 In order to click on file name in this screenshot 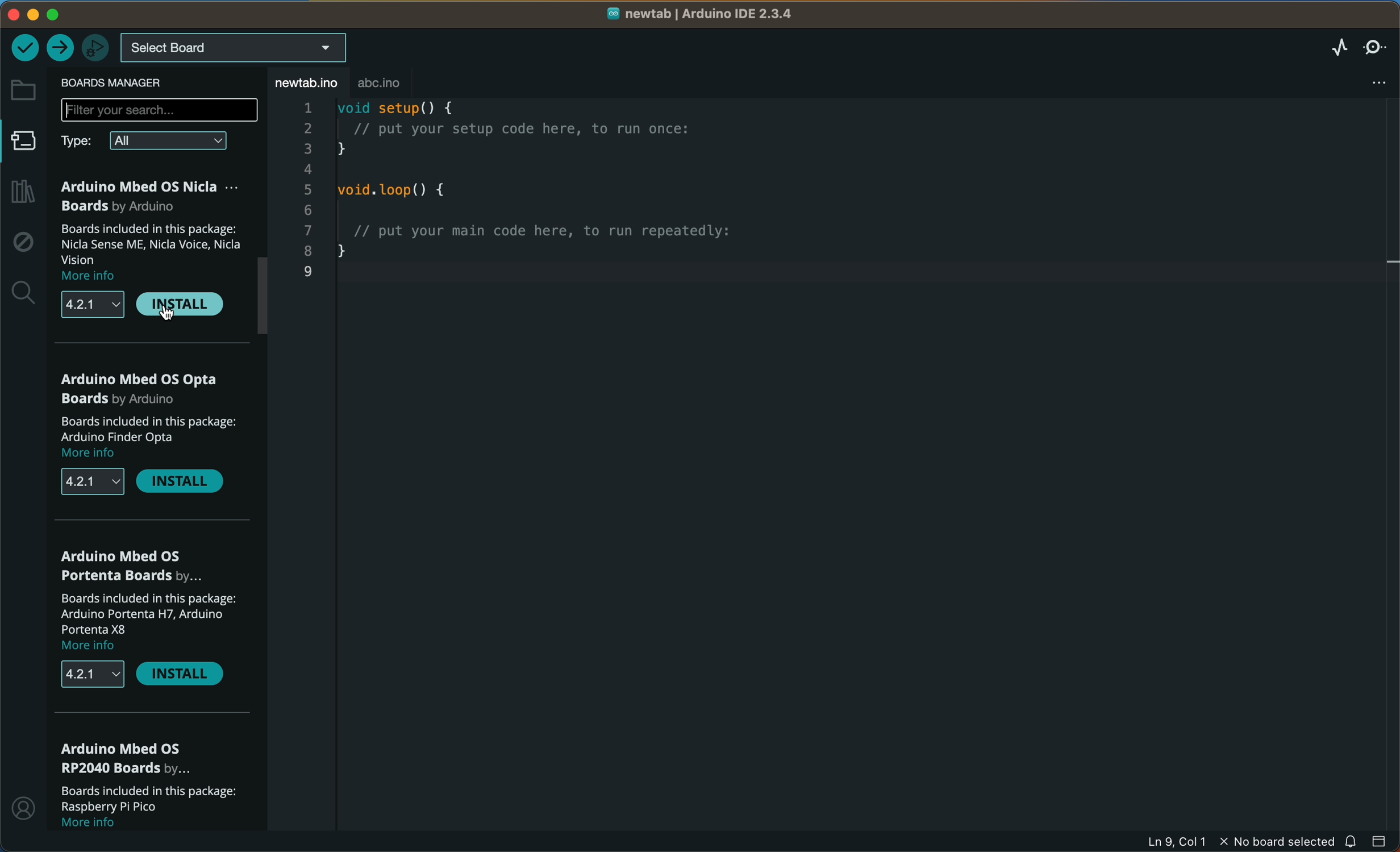, I will do `click(701, 13)`.